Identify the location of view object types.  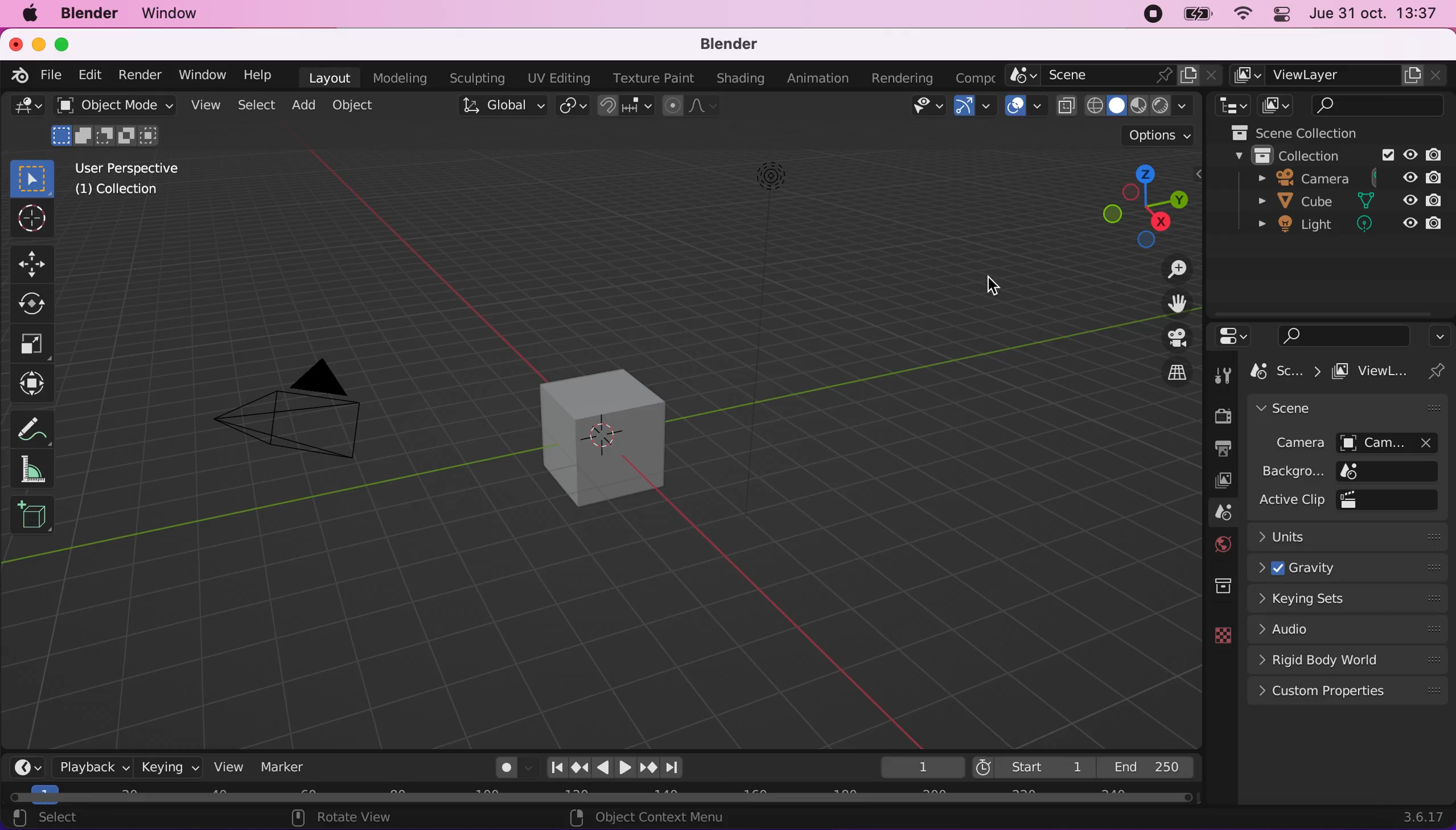
(927, 108).